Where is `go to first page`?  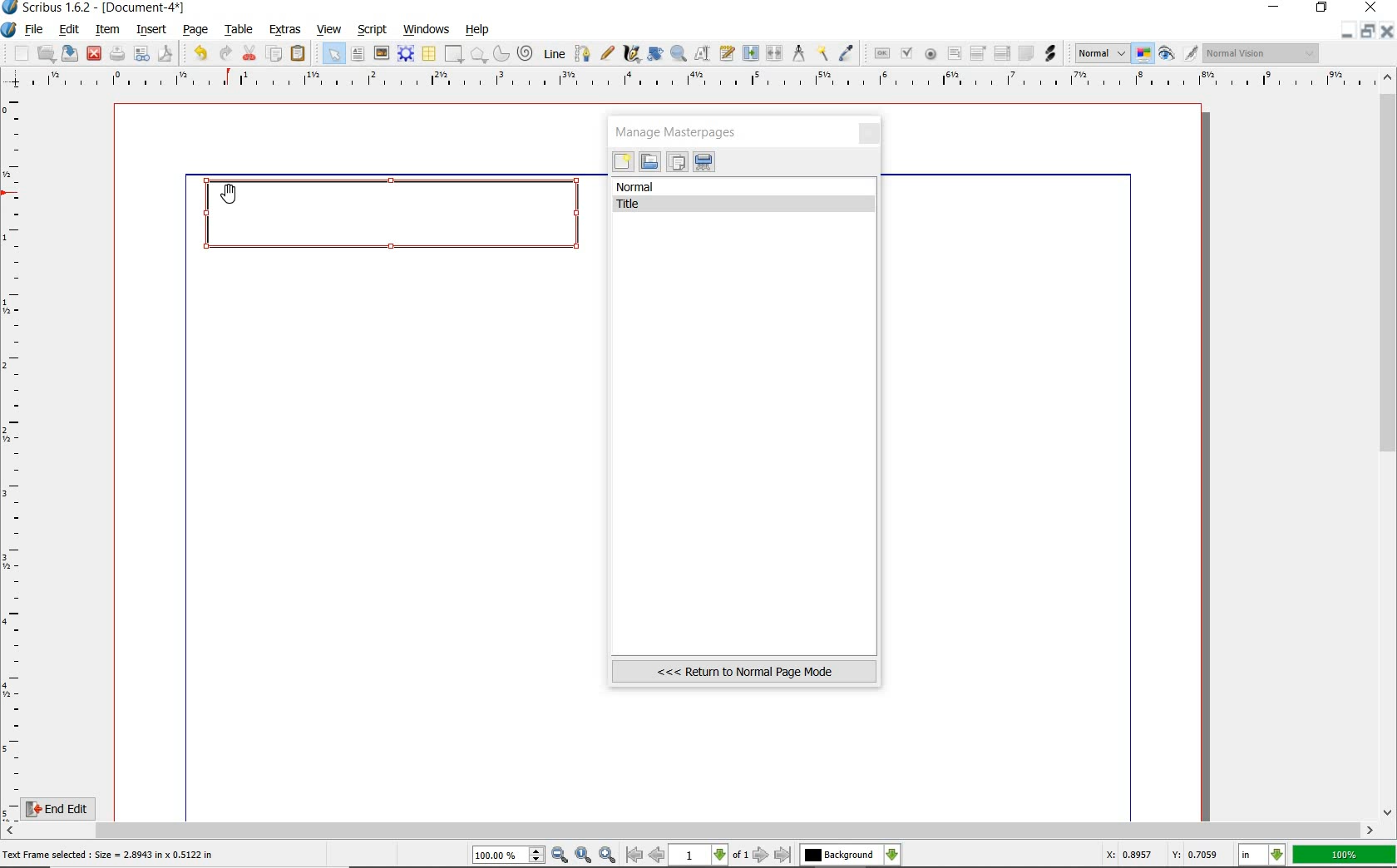
go to first page is located at coordinates (634, 856).